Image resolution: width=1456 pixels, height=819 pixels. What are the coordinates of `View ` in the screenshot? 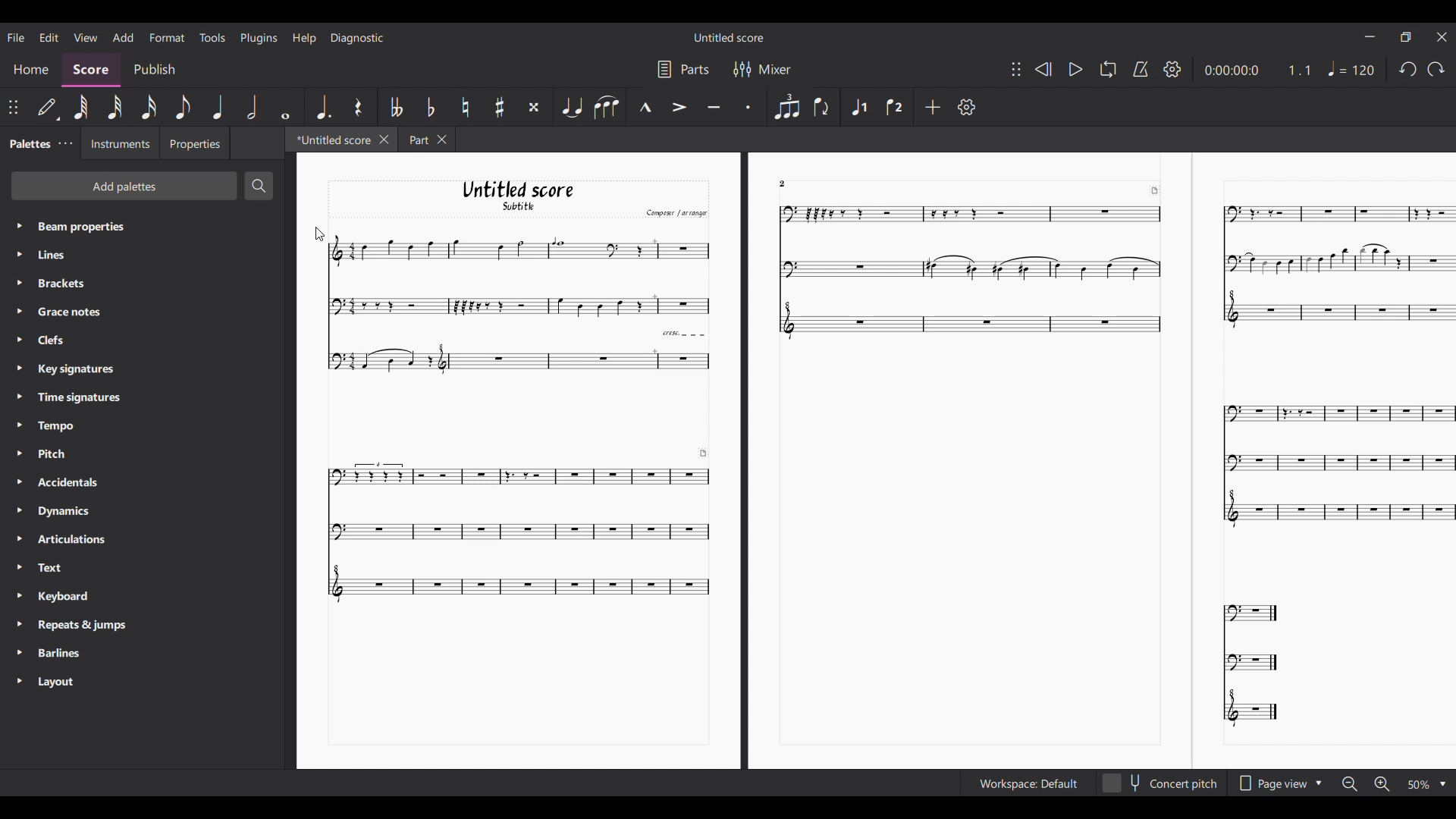 It's located at (86, 37).